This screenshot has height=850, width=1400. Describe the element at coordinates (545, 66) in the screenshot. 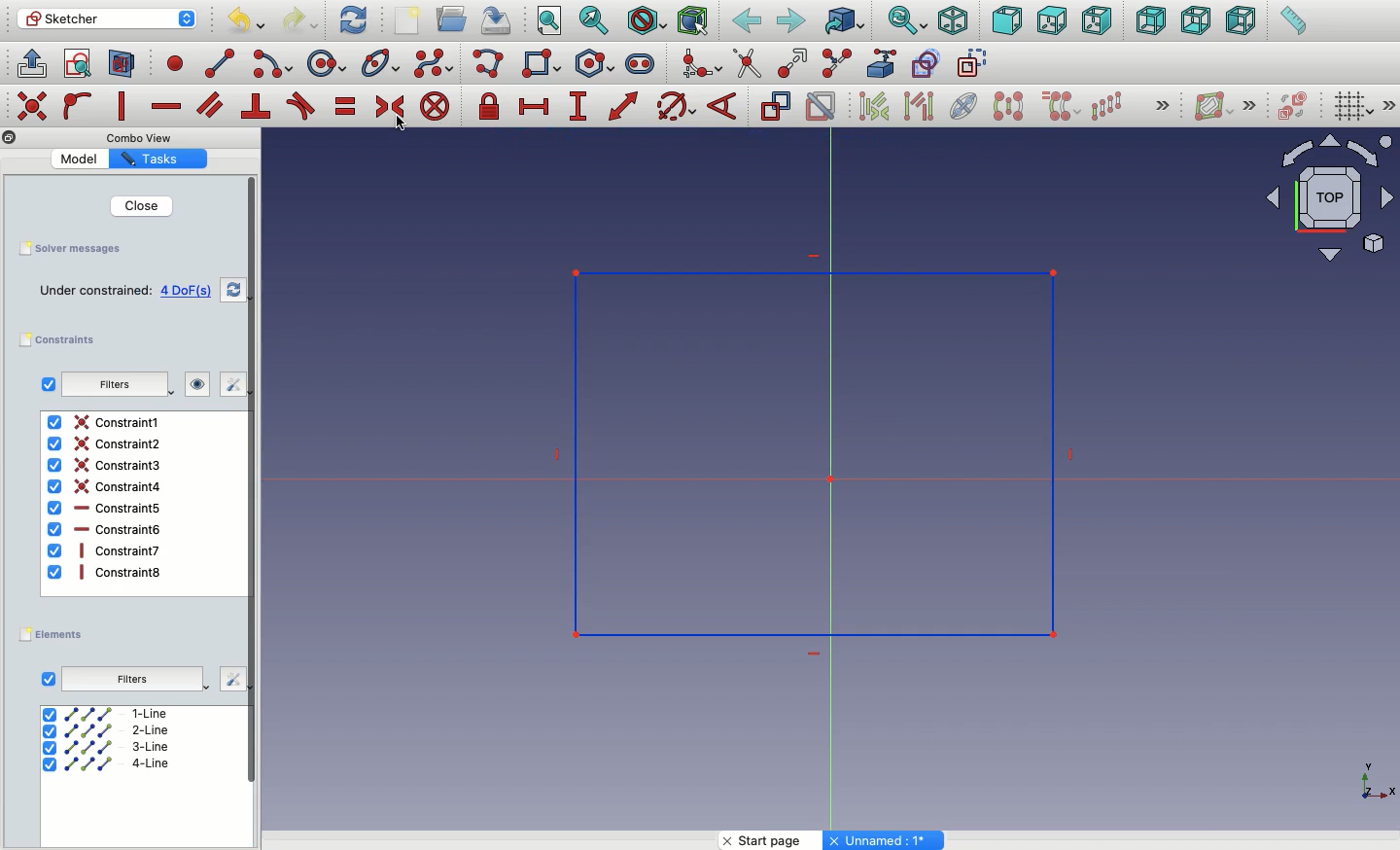

I see `Rectangle` at that location.